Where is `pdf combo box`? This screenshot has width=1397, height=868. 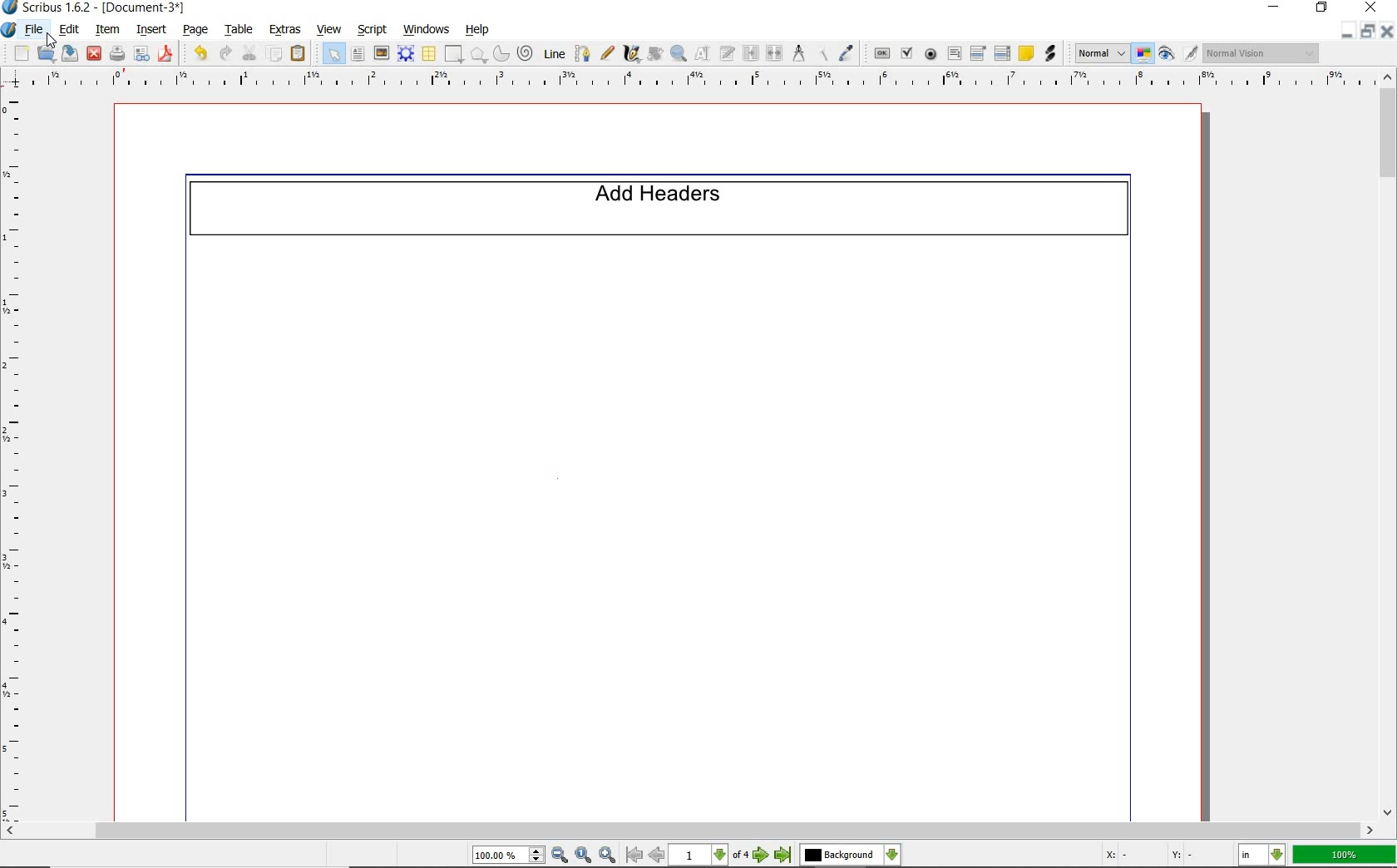
pdf combo box is located at coordinates (978, 52).